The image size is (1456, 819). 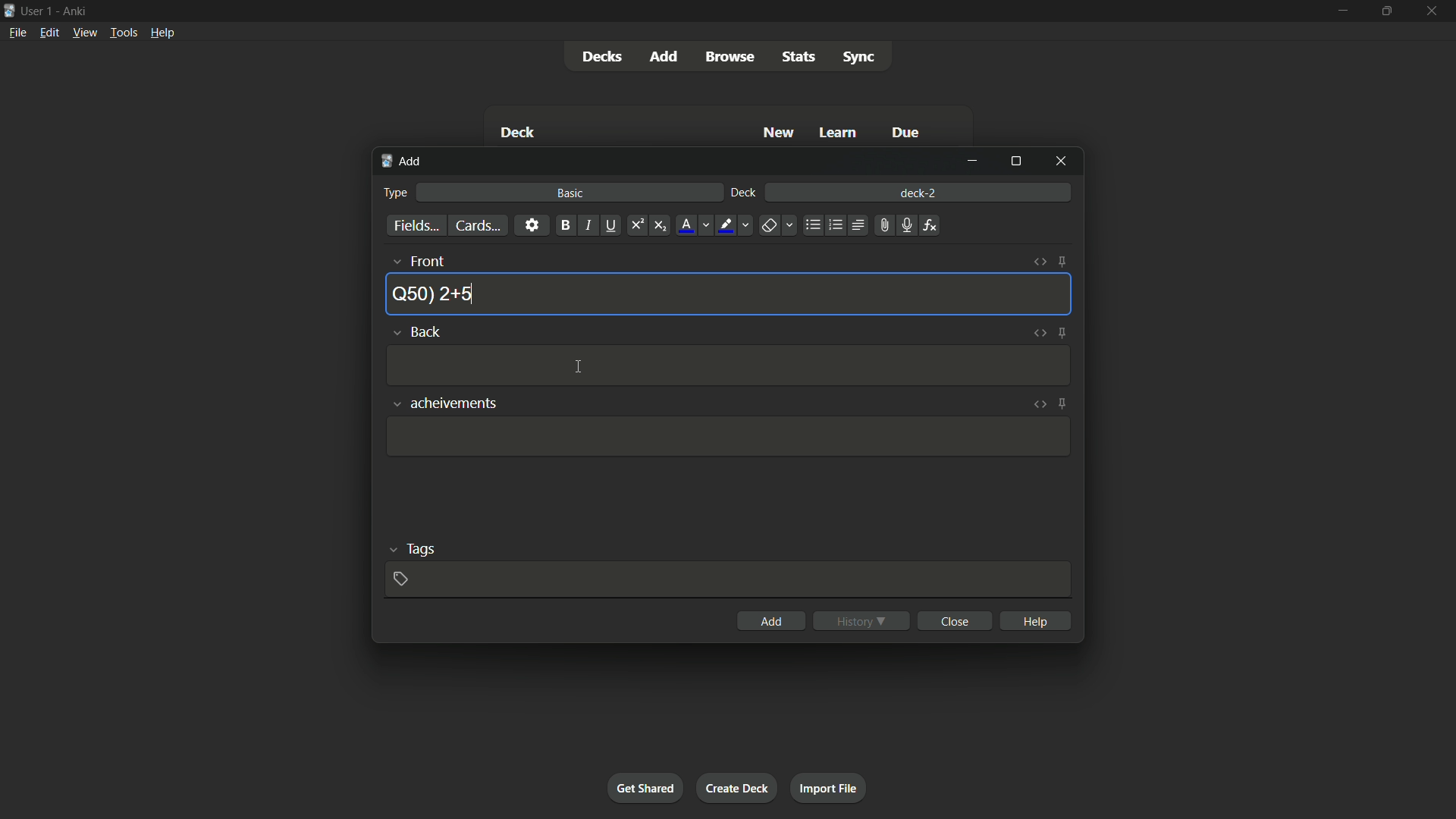 I want to click on Learn, so click(x=839, y=133).